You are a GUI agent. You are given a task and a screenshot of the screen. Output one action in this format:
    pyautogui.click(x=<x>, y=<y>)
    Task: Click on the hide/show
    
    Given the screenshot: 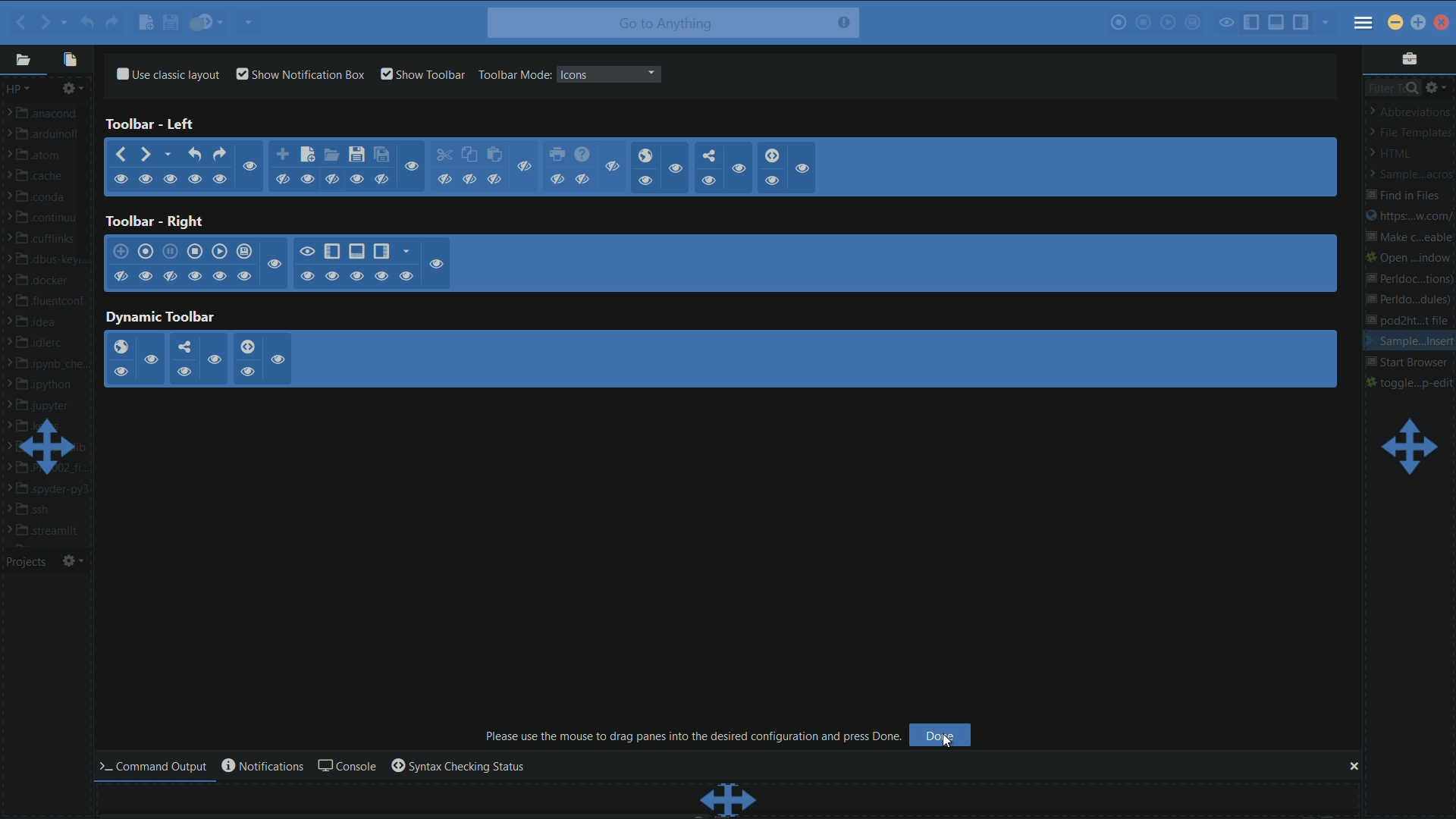 What is the action you would take?
    pyautogui.click(x=121, y=277)
    